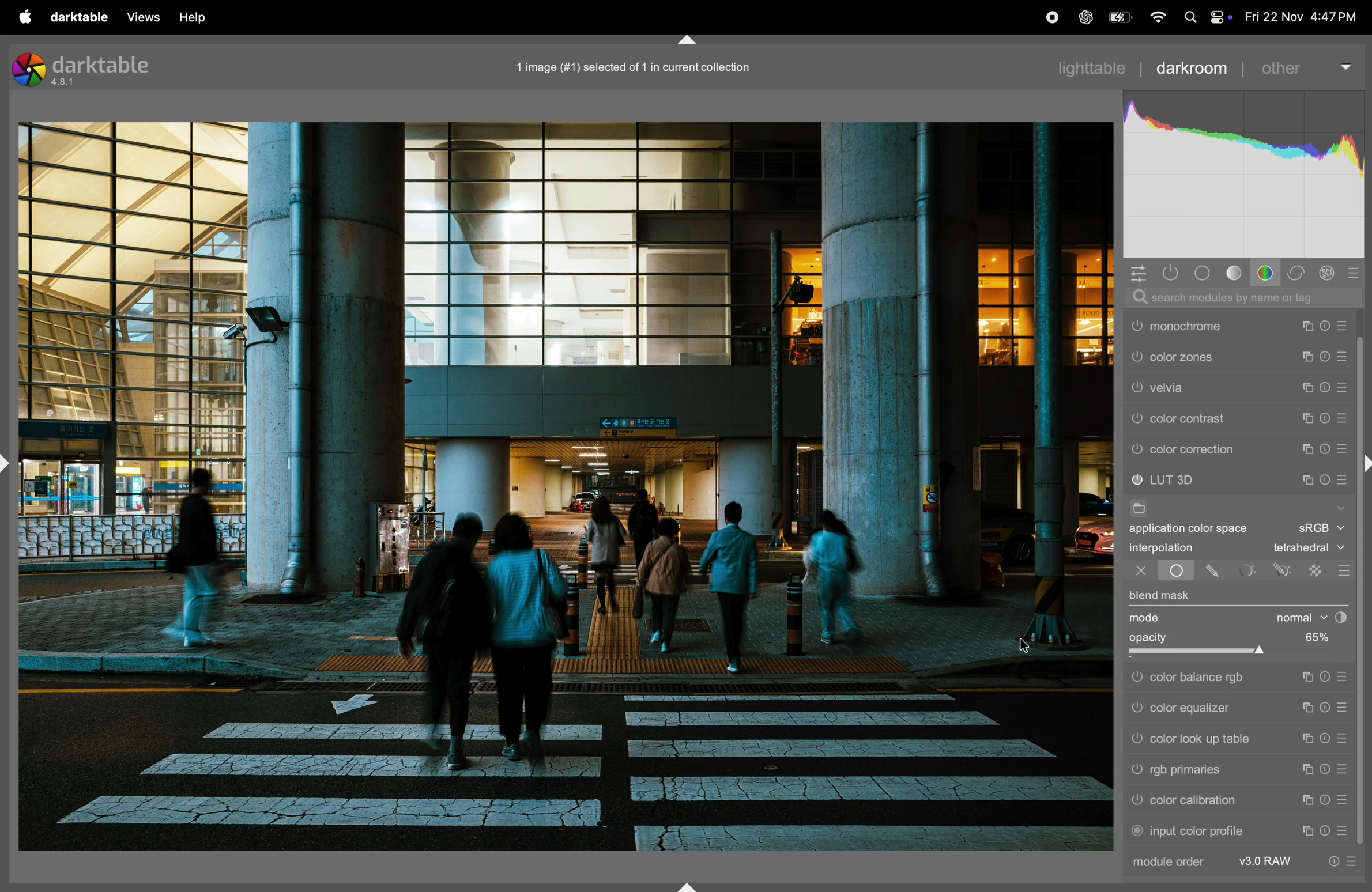  I want to click on color, so click(1267, 273).